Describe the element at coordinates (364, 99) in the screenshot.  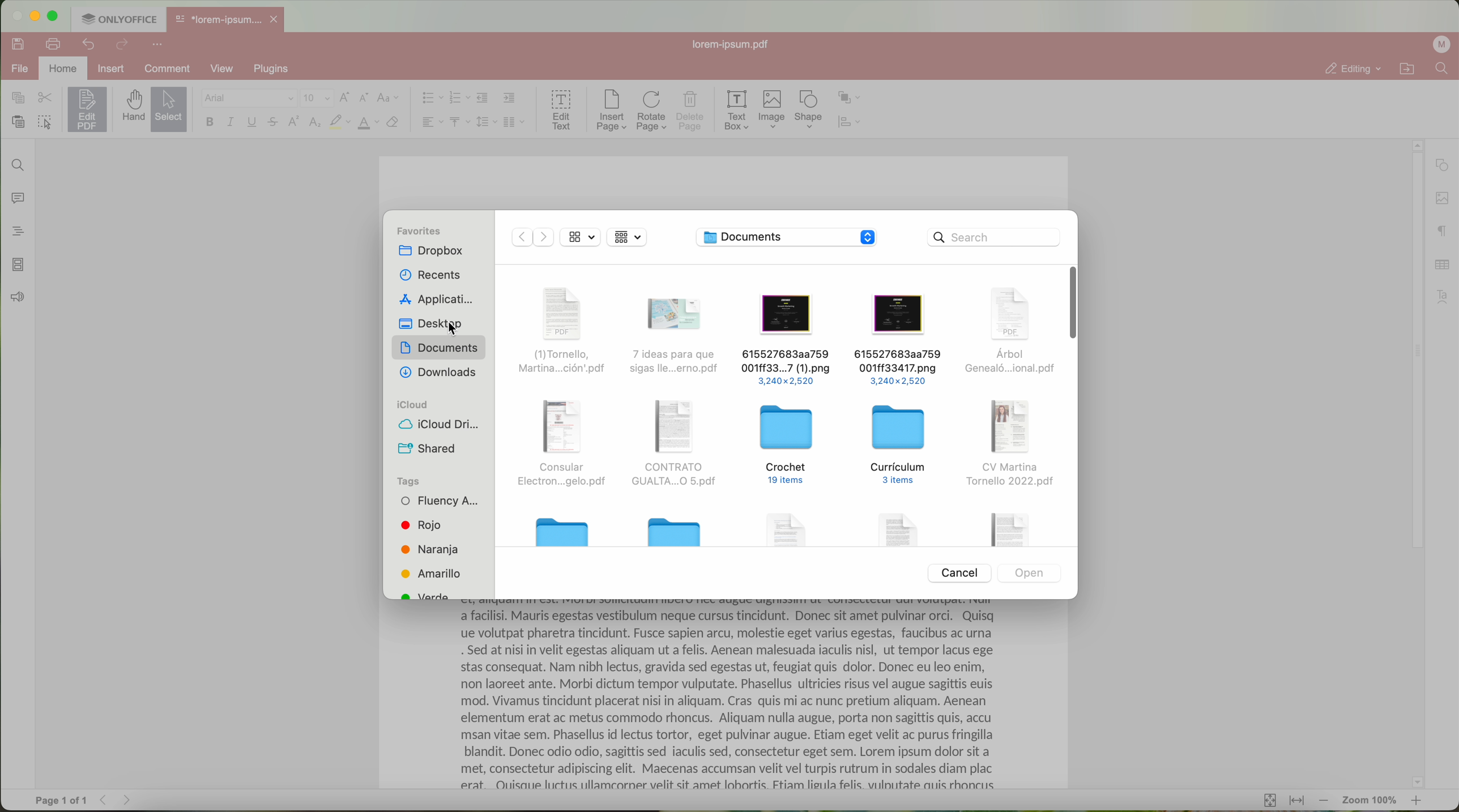
I see `decrement font size` at that location.